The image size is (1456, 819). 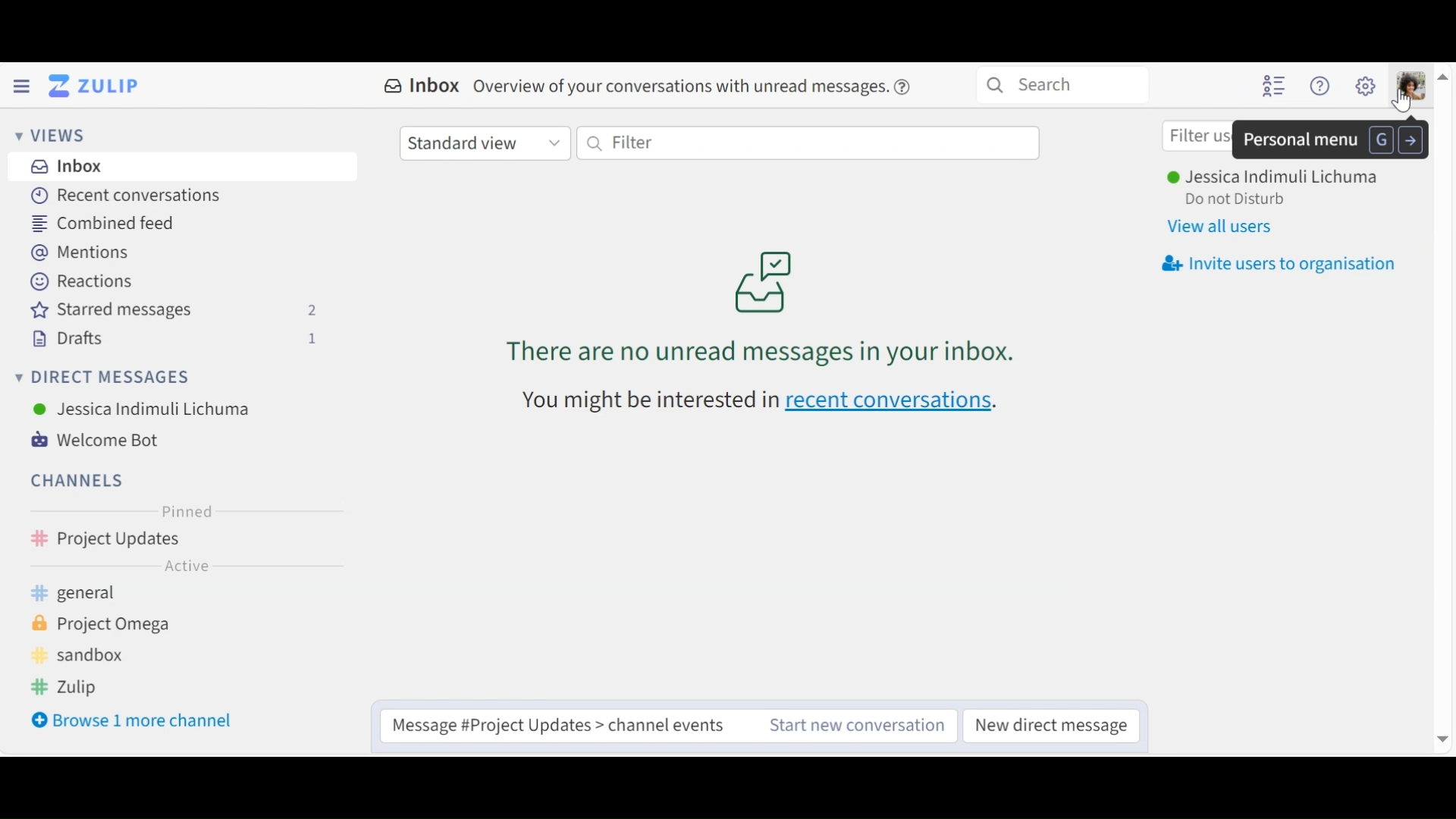 I want to click on Personal menu, so click(x=1413, y=86).